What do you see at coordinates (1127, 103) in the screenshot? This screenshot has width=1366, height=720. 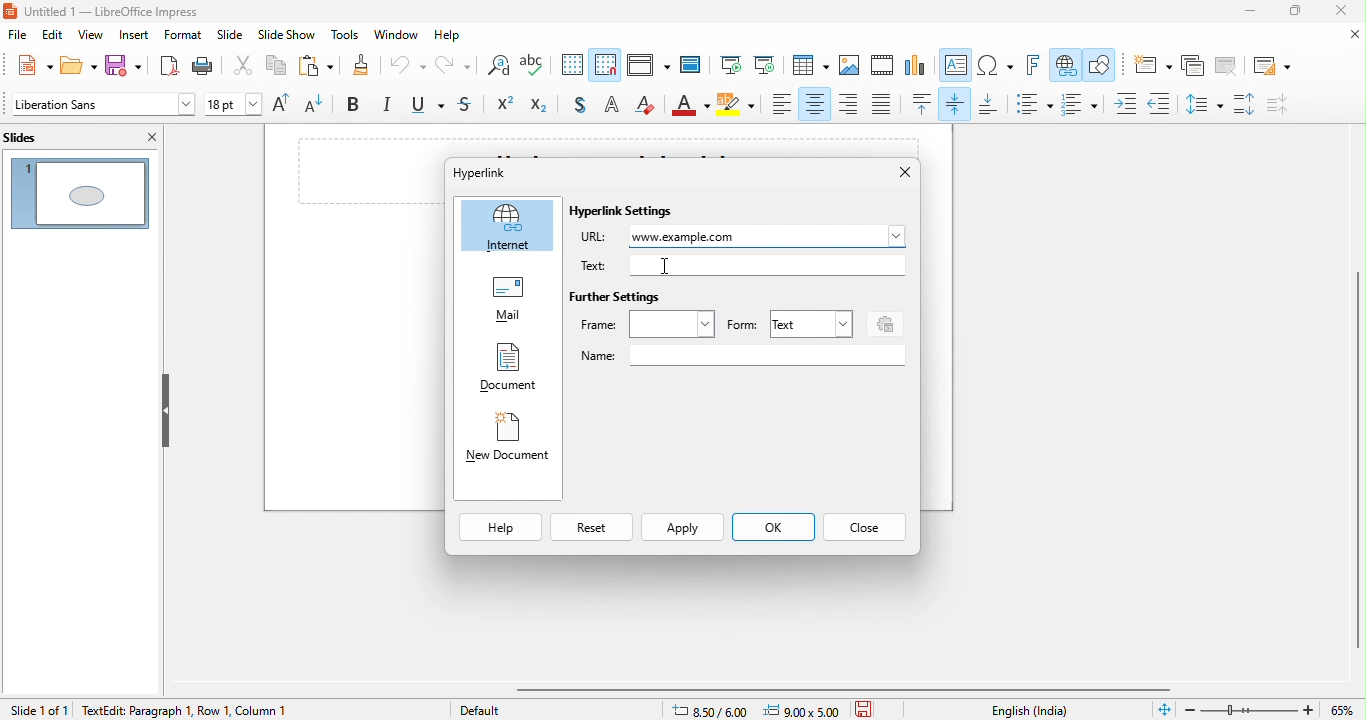 I see `increase indent` at bounding box center [1127, 103].